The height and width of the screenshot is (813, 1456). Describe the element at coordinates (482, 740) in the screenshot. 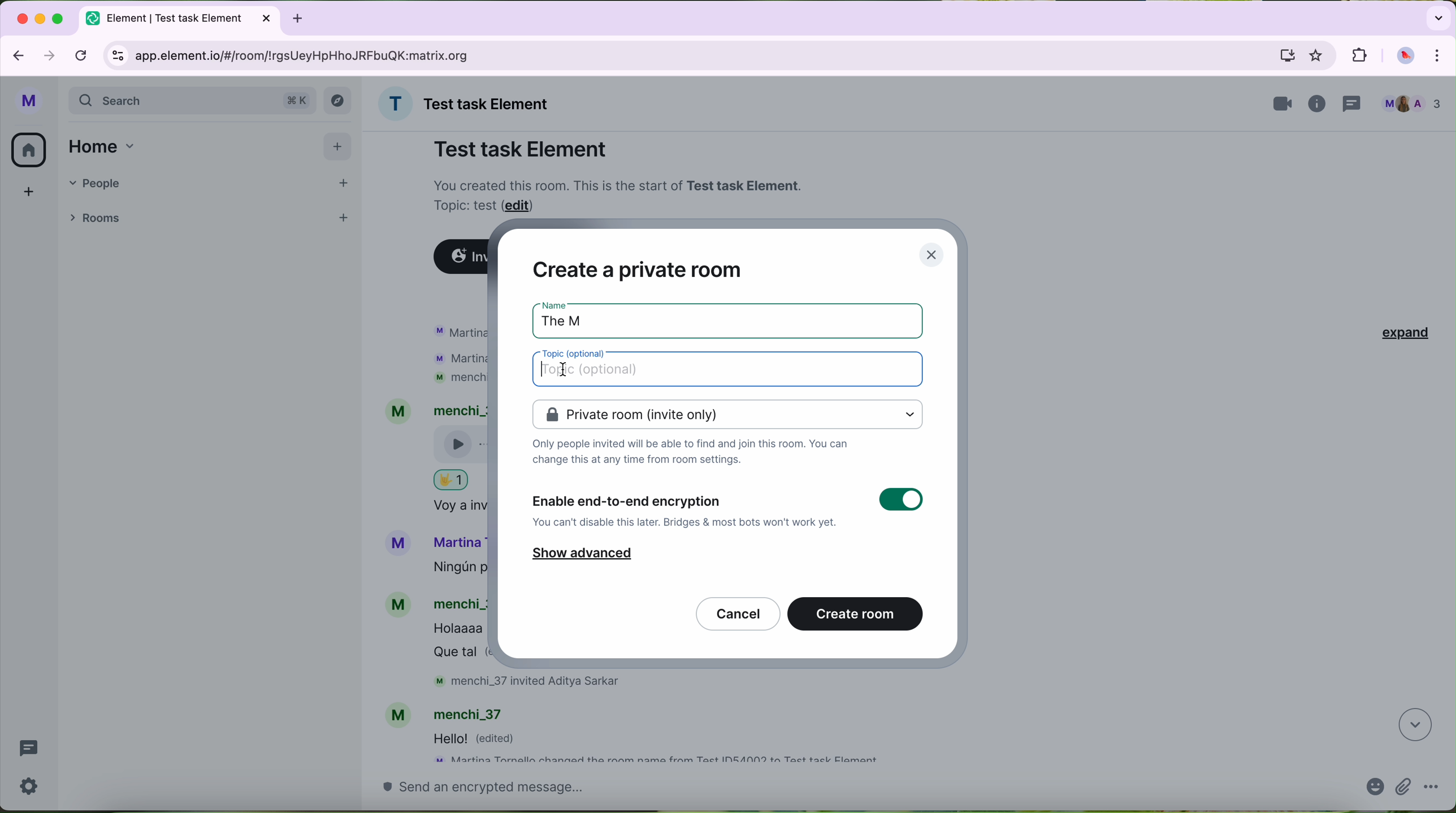

I see `message` at that location.